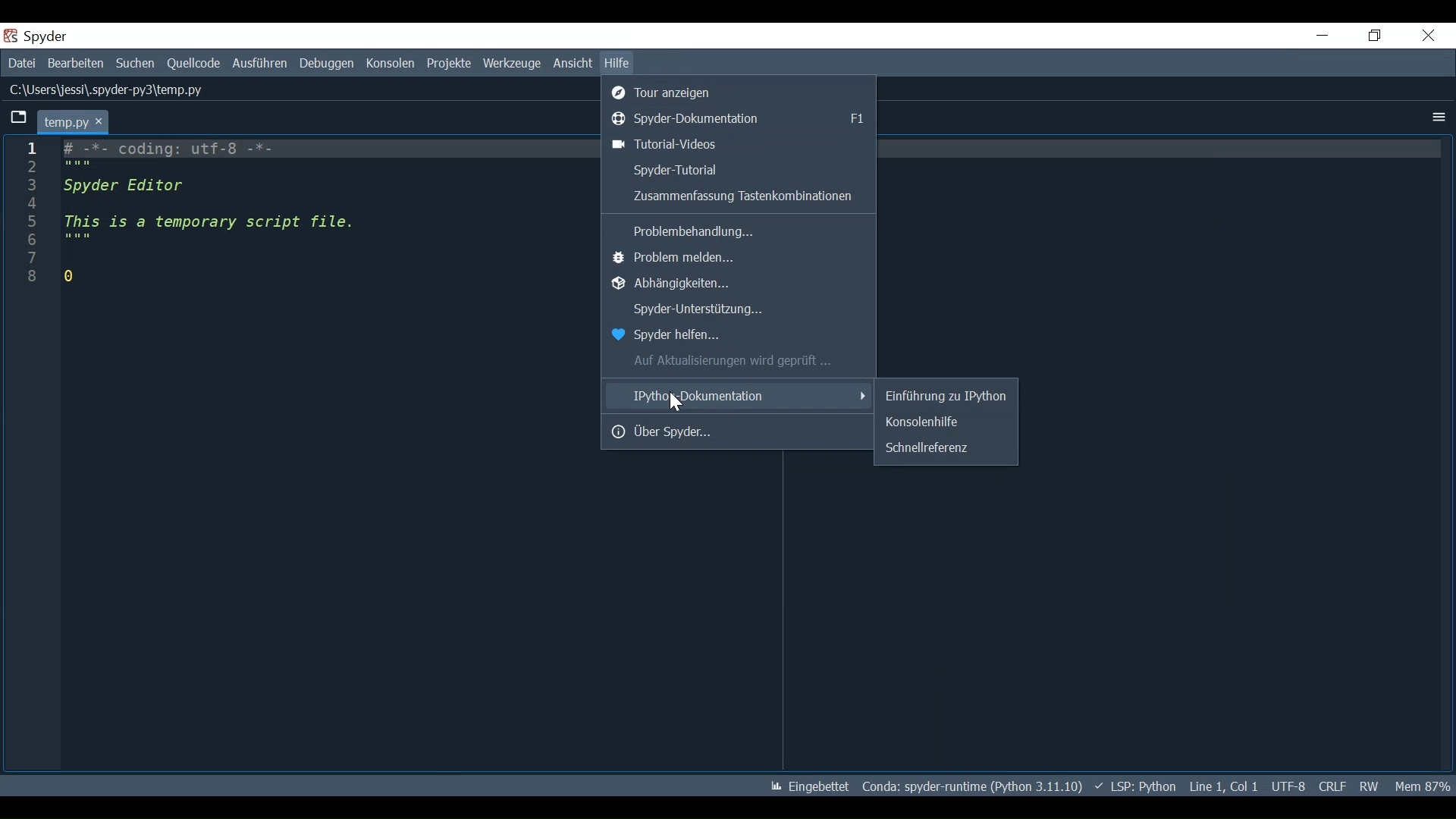 Image resolution: width=1456 pixels, height=819 pixels. Describe the element at coordinates (215, 214) in the screenshot. I see `fF -*- coding: utf-8 -*-

Spyder Editor

This is a temporary script file.
0` at that location.